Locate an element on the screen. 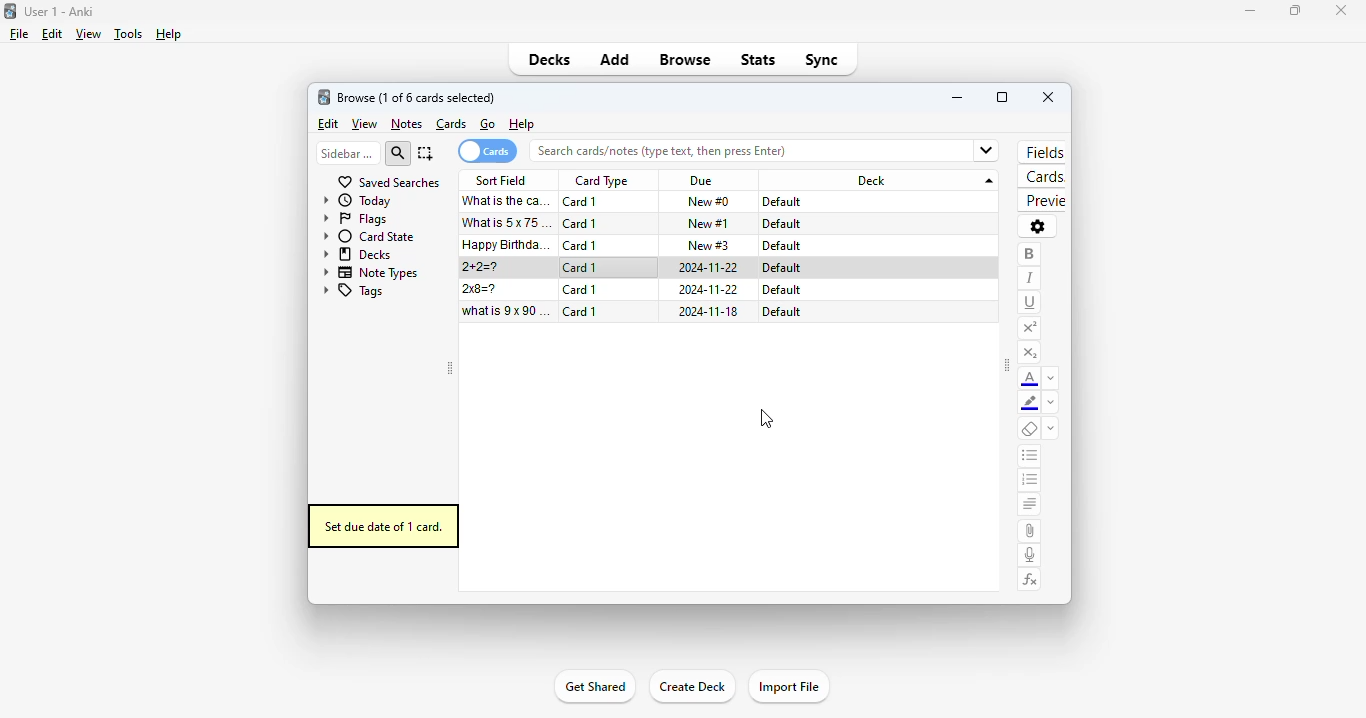  edit is located at coordinates (327, 124).